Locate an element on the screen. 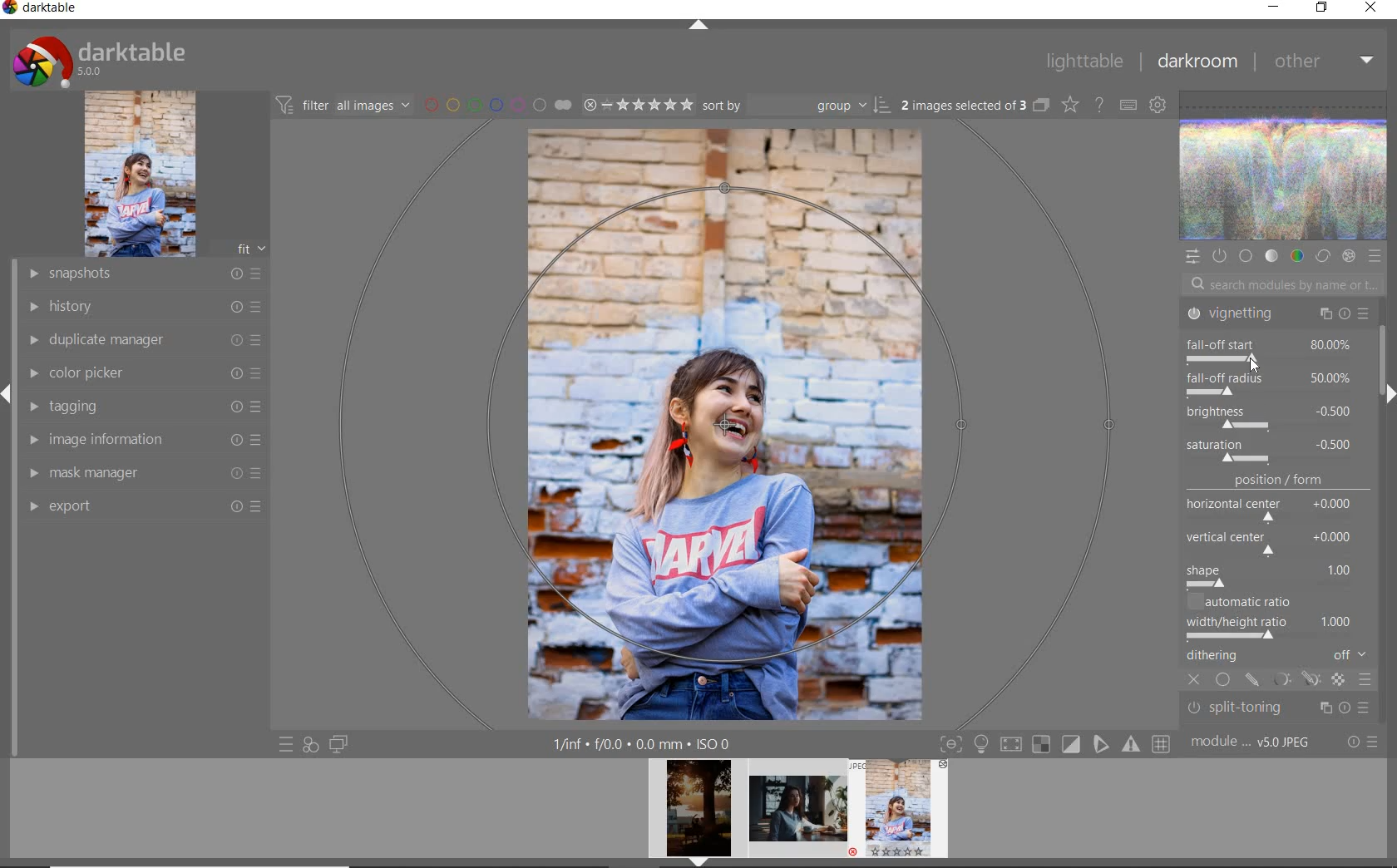  OTHER is located at coordinates (1324, 61).